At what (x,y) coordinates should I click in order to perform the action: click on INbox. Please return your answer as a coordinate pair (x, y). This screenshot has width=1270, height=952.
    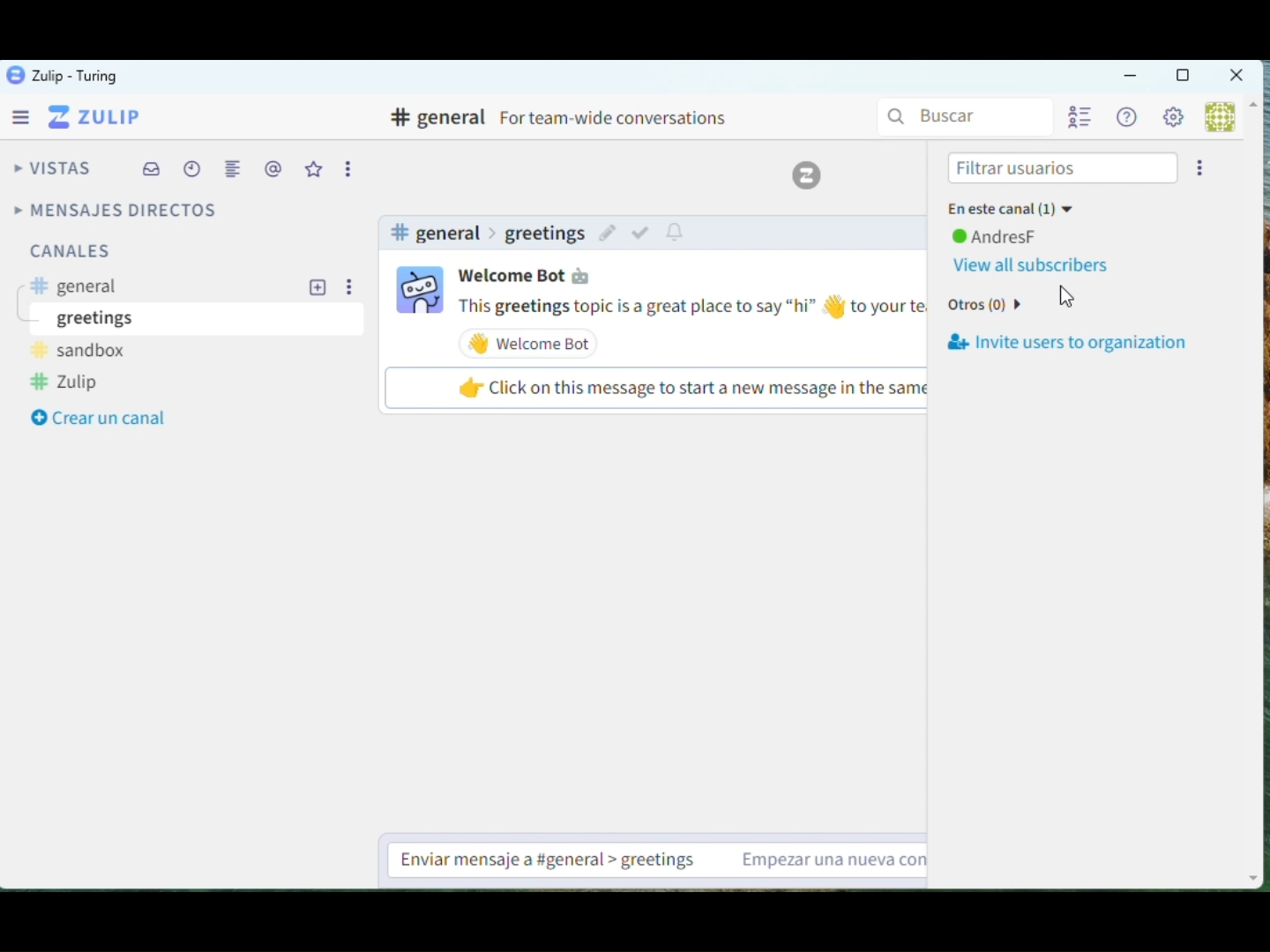
    Looking at the image, I should click on (152, 167).